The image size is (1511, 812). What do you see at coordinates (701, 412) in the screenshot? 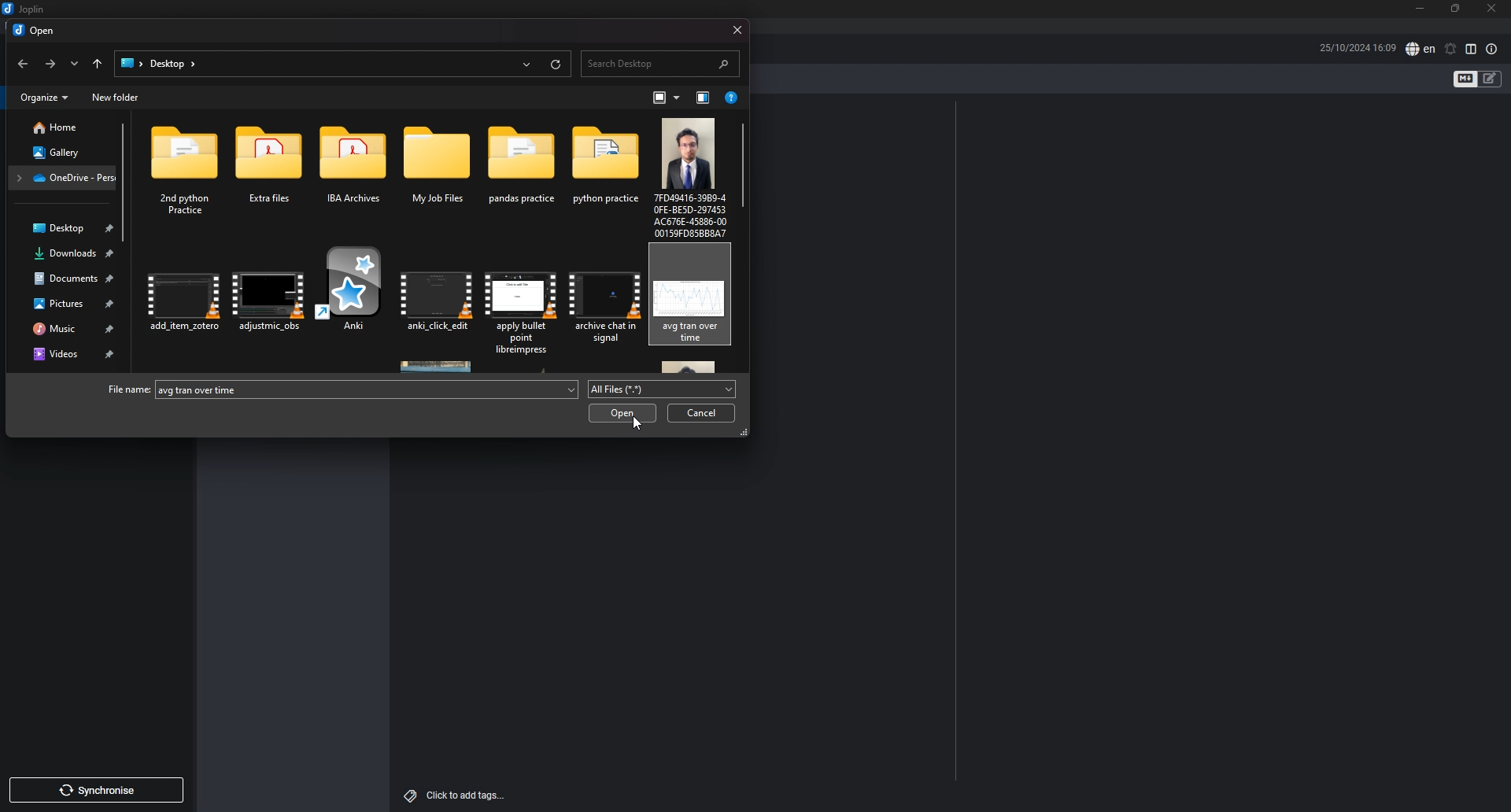
I see `cancel` at bounding box center [701, 412].